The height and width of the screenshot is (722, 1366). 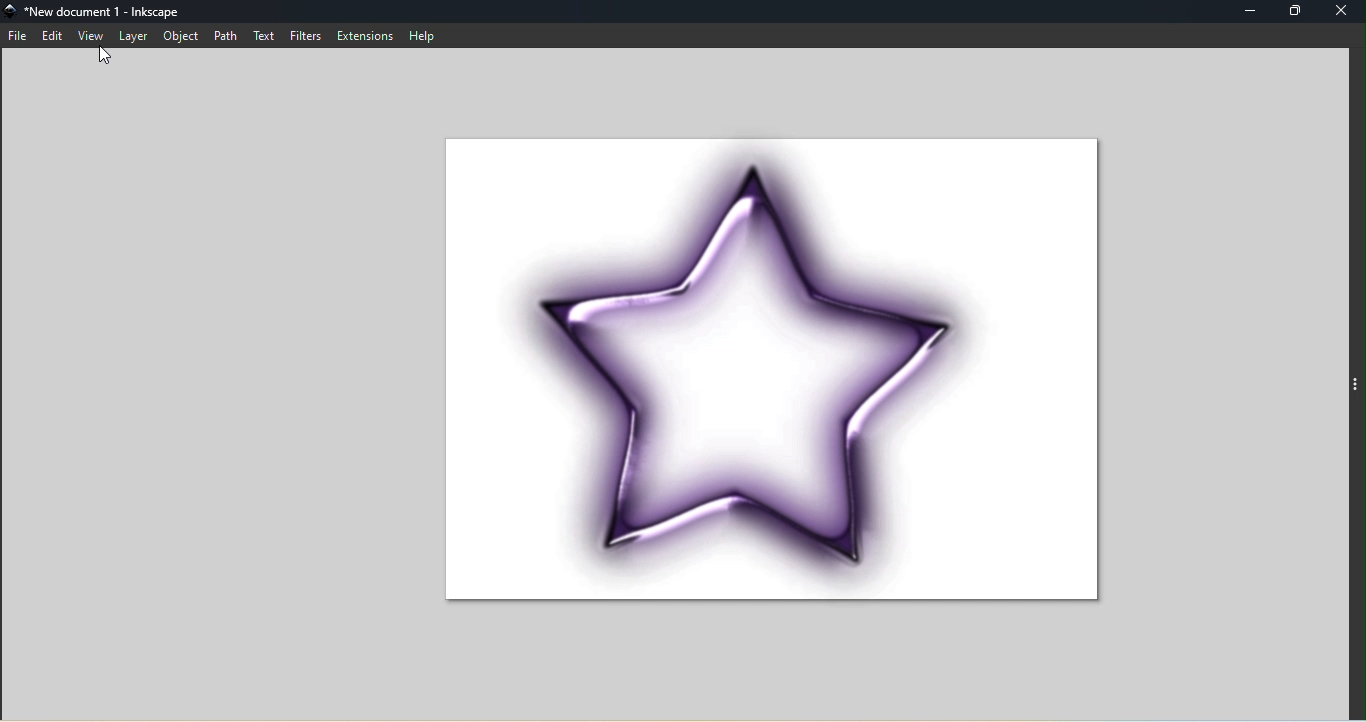 I want to click on Cursor, so click(x=105, y=60).